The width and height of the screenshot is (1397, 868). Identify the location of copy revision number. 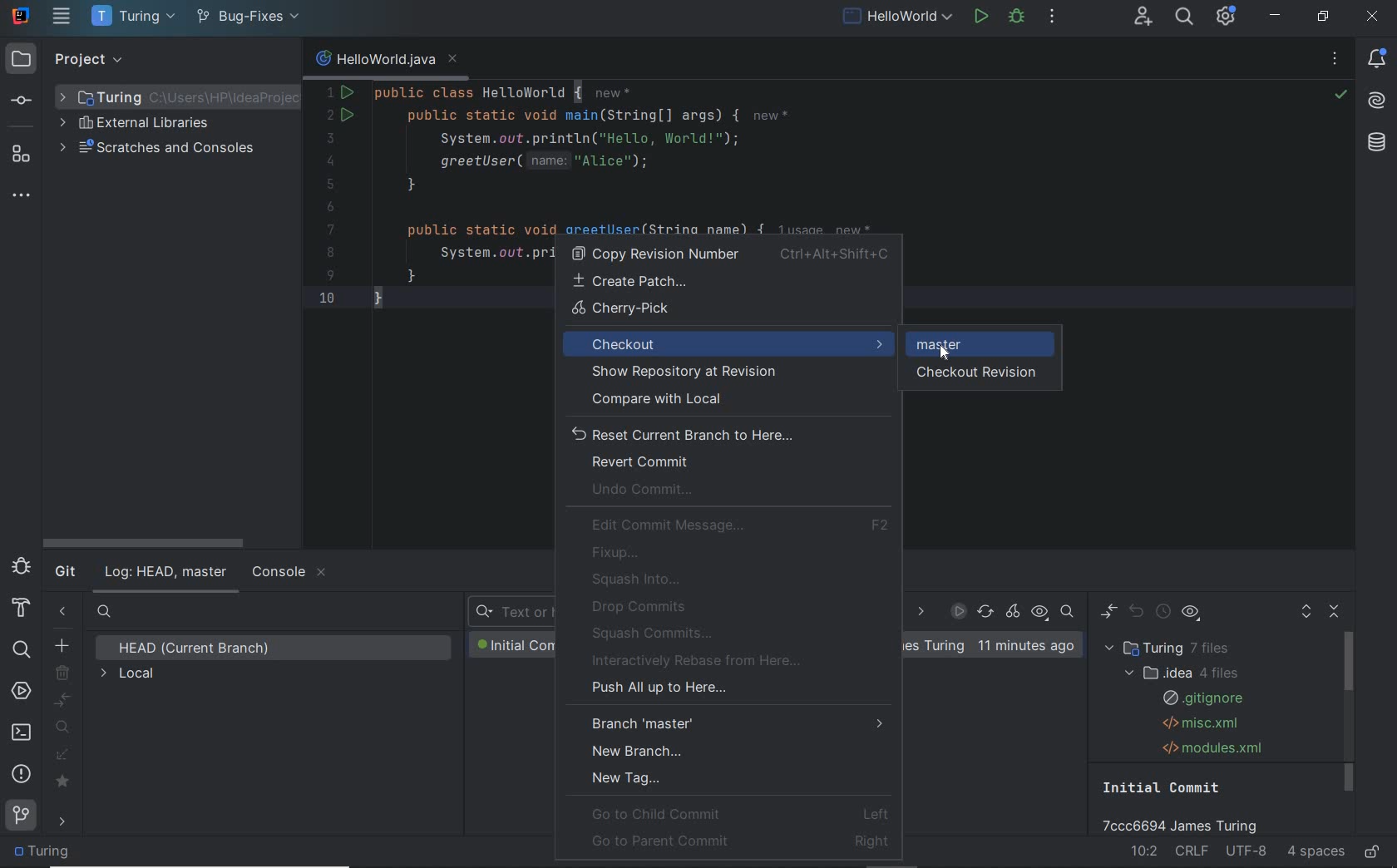
(729, 254).